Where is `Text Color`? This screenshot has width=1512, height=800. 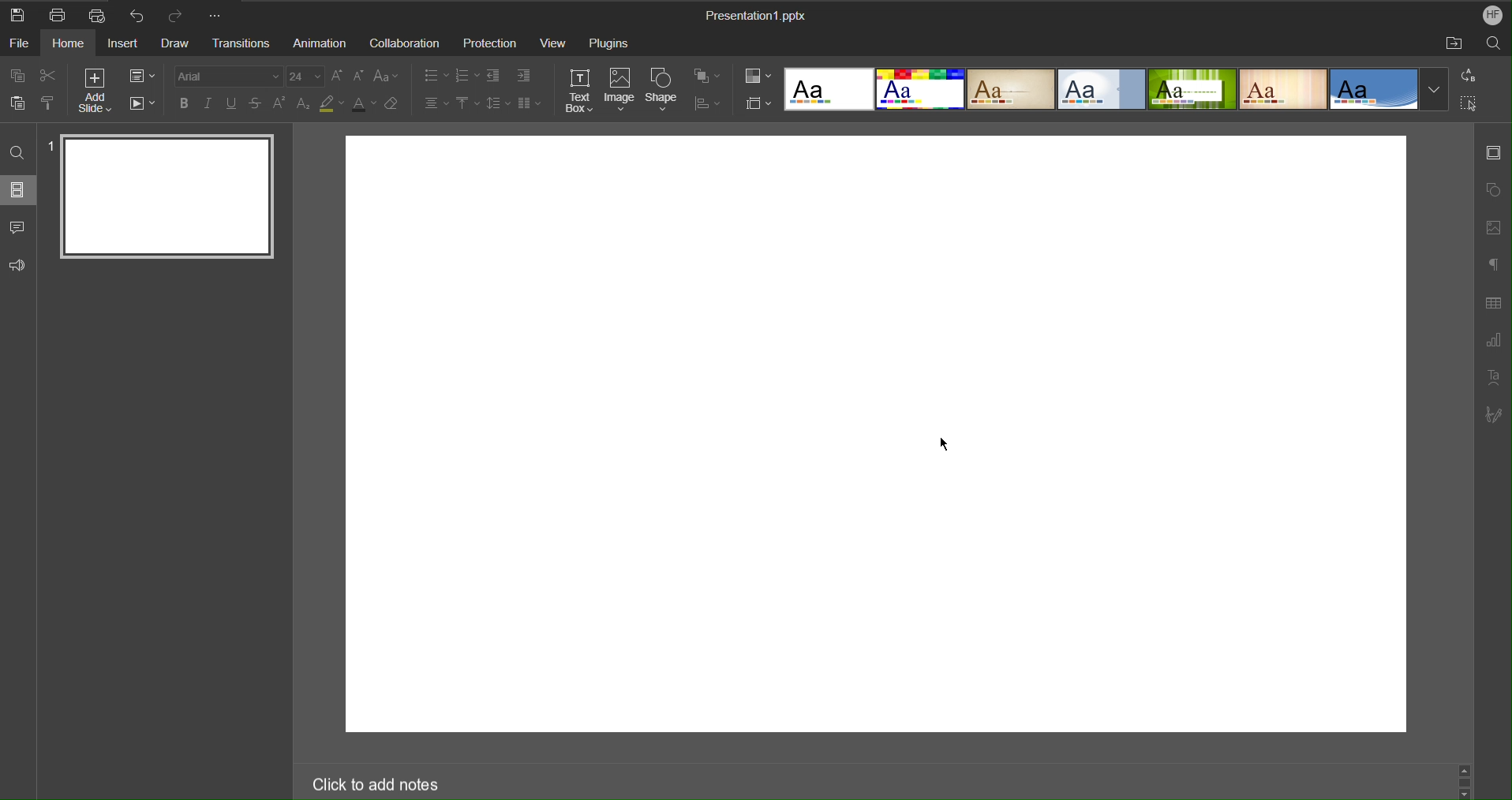 Text Color is located at coordinates (362, 104).